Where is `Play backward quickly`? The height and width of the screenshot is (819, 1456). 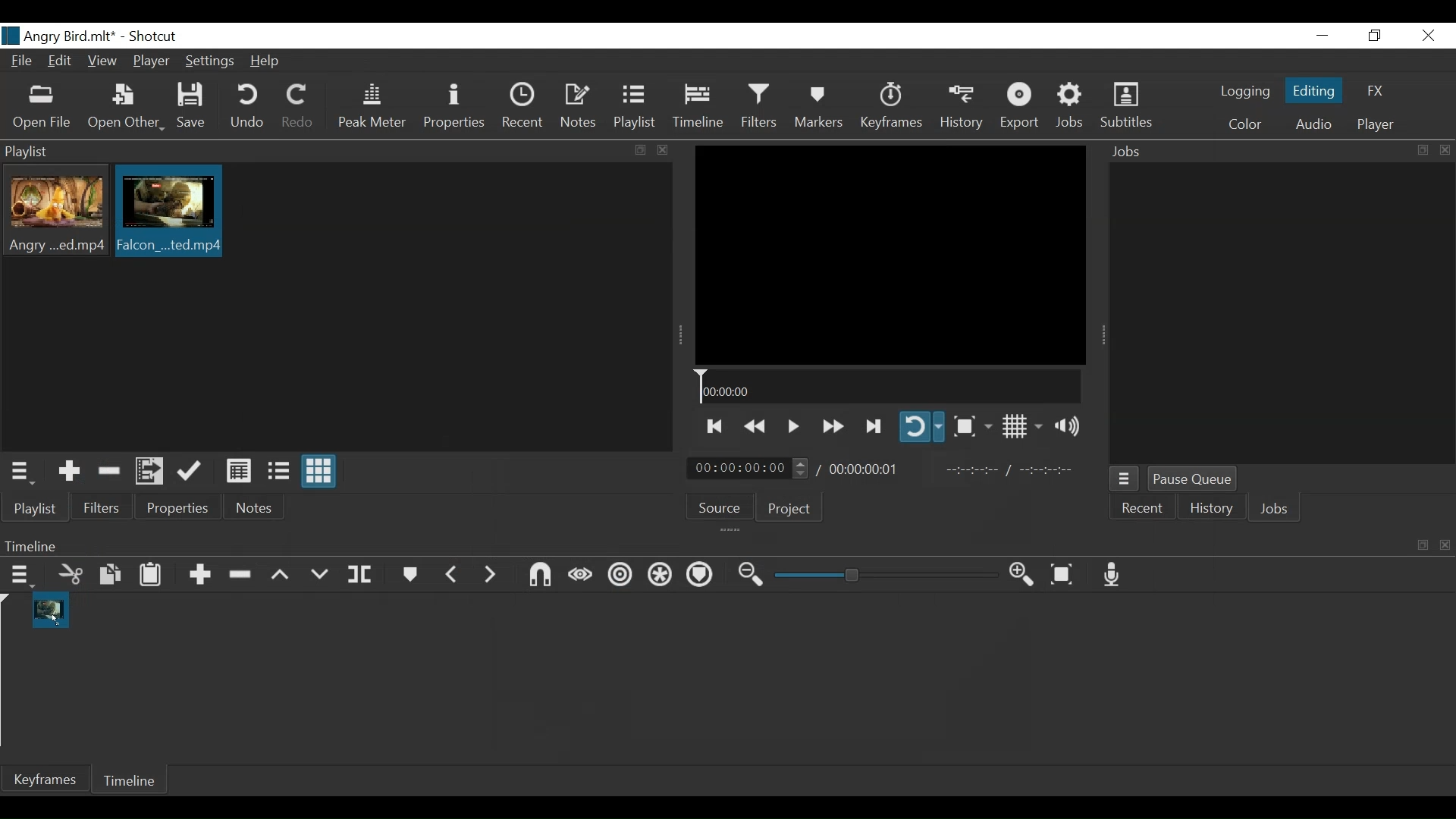 Play backward quickly is located at coordinates (757, 427).